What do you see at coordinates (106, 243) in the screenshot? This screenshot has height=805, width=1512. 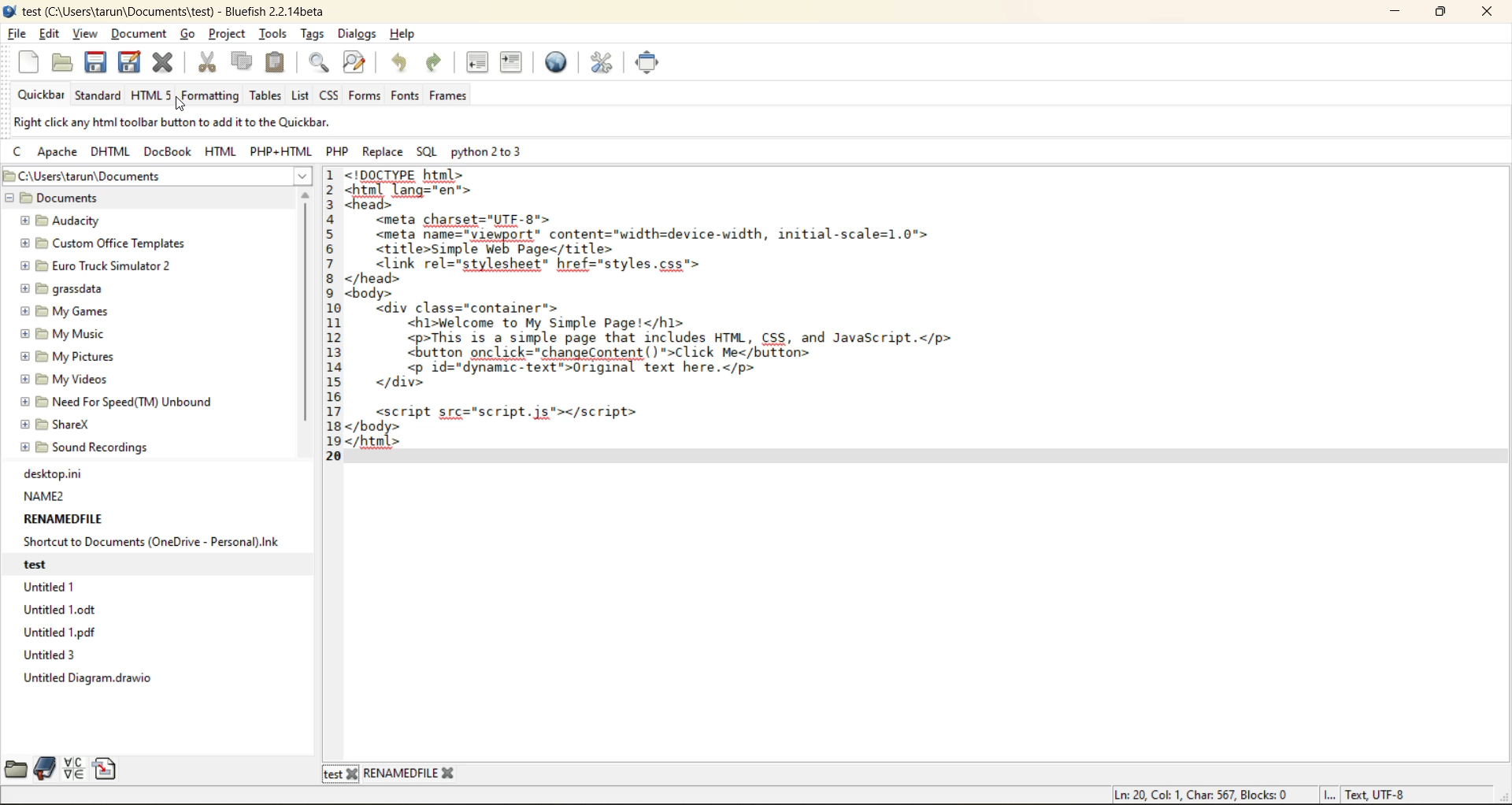 I see `@ 9 Custom Office Templates` at bounding box center [106, 243].